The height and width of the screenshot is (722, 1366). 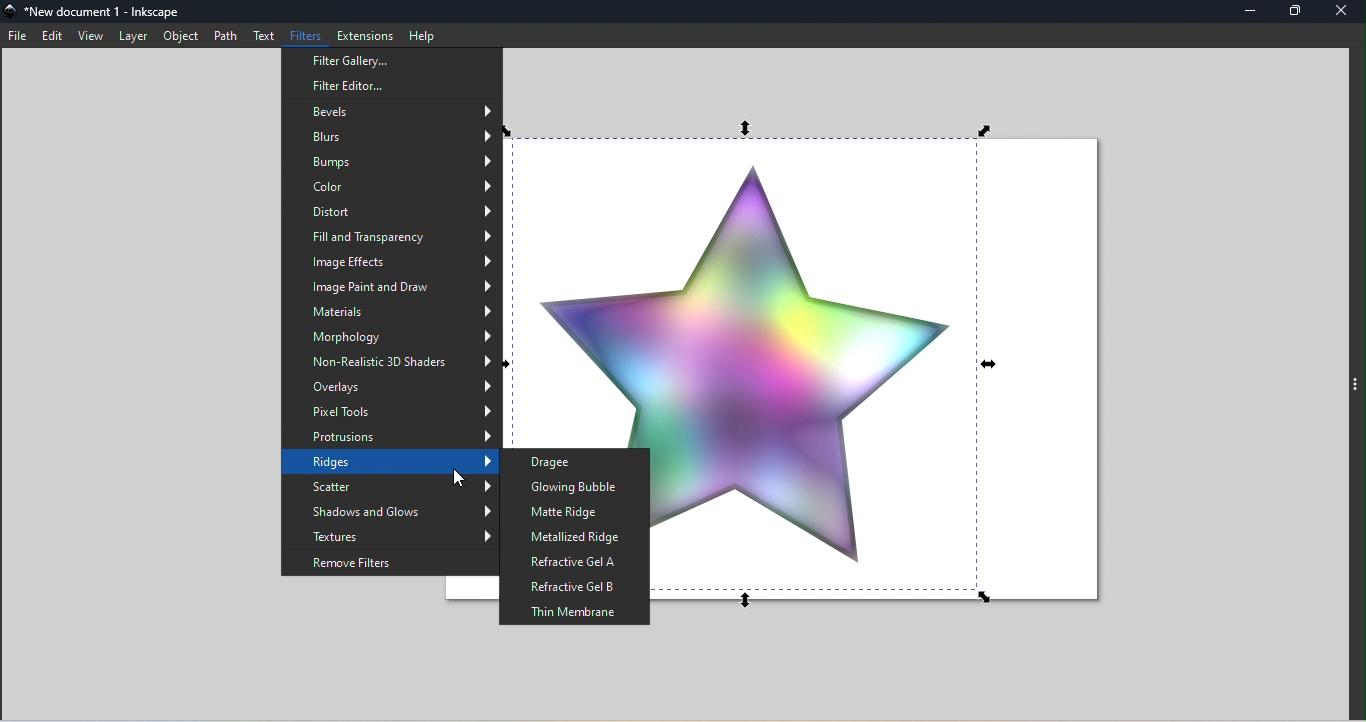 I want to click on Refractive gel B, so click(x=577, y=587).